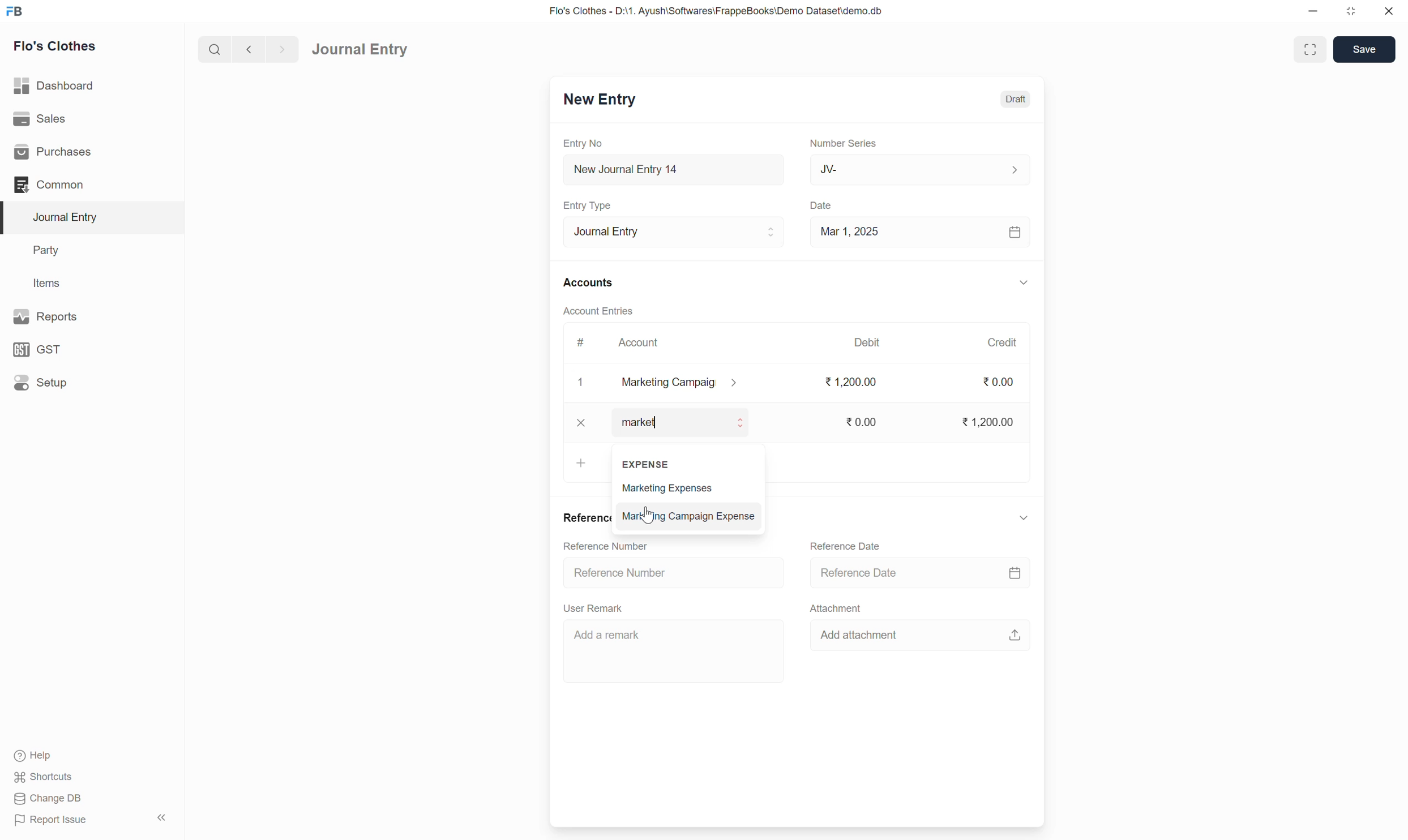 Image resolution: width=1408 pixels, height=840 pixels. Describe the element at coordinates (985, 421) in the screenshot. I see `1,200.00` at that location.